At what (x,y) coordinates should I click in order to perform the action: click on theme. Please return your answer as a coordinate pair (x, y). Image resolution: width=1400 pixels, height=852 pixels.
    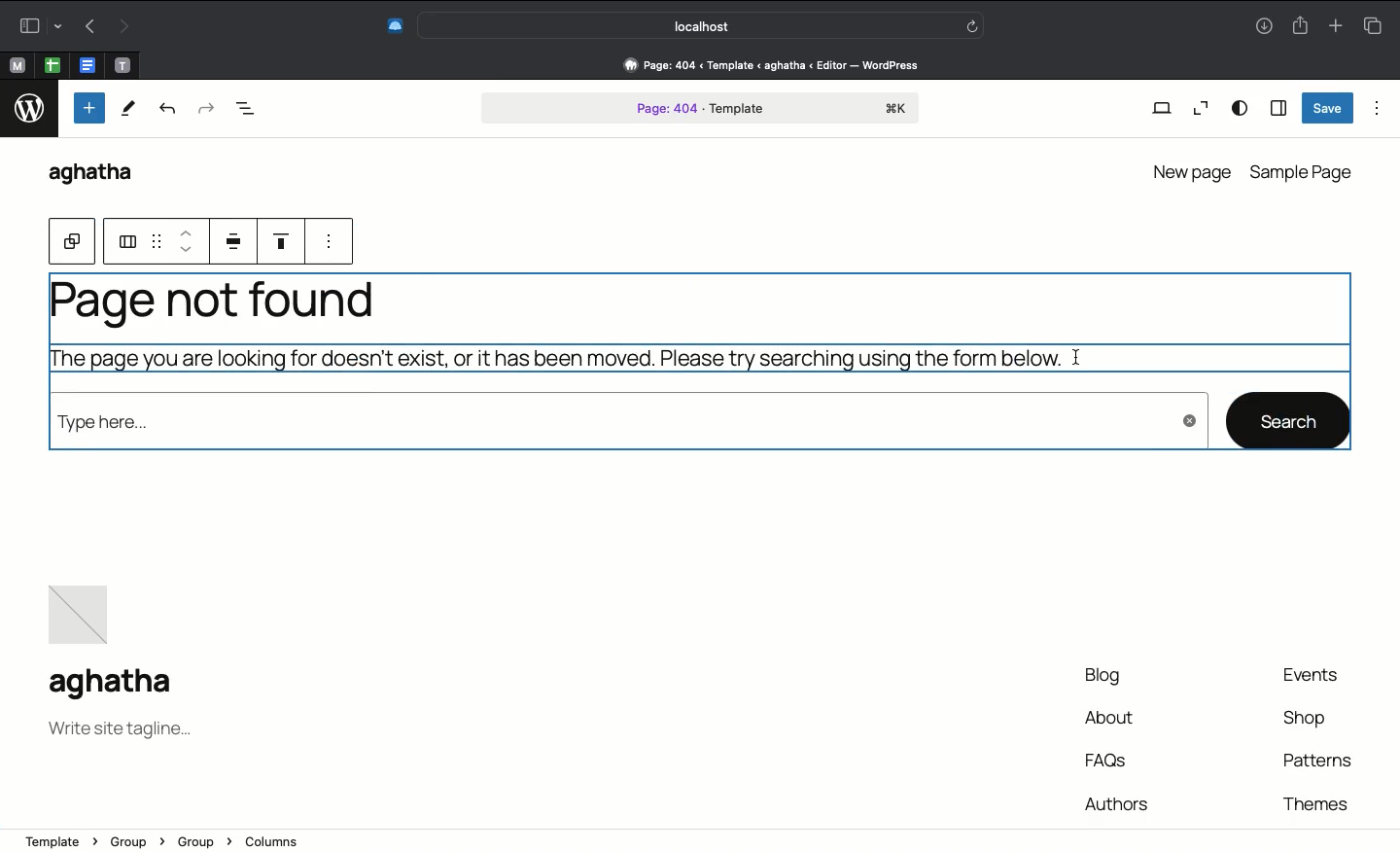
    Looking at the image, I should click on (1313, 800).